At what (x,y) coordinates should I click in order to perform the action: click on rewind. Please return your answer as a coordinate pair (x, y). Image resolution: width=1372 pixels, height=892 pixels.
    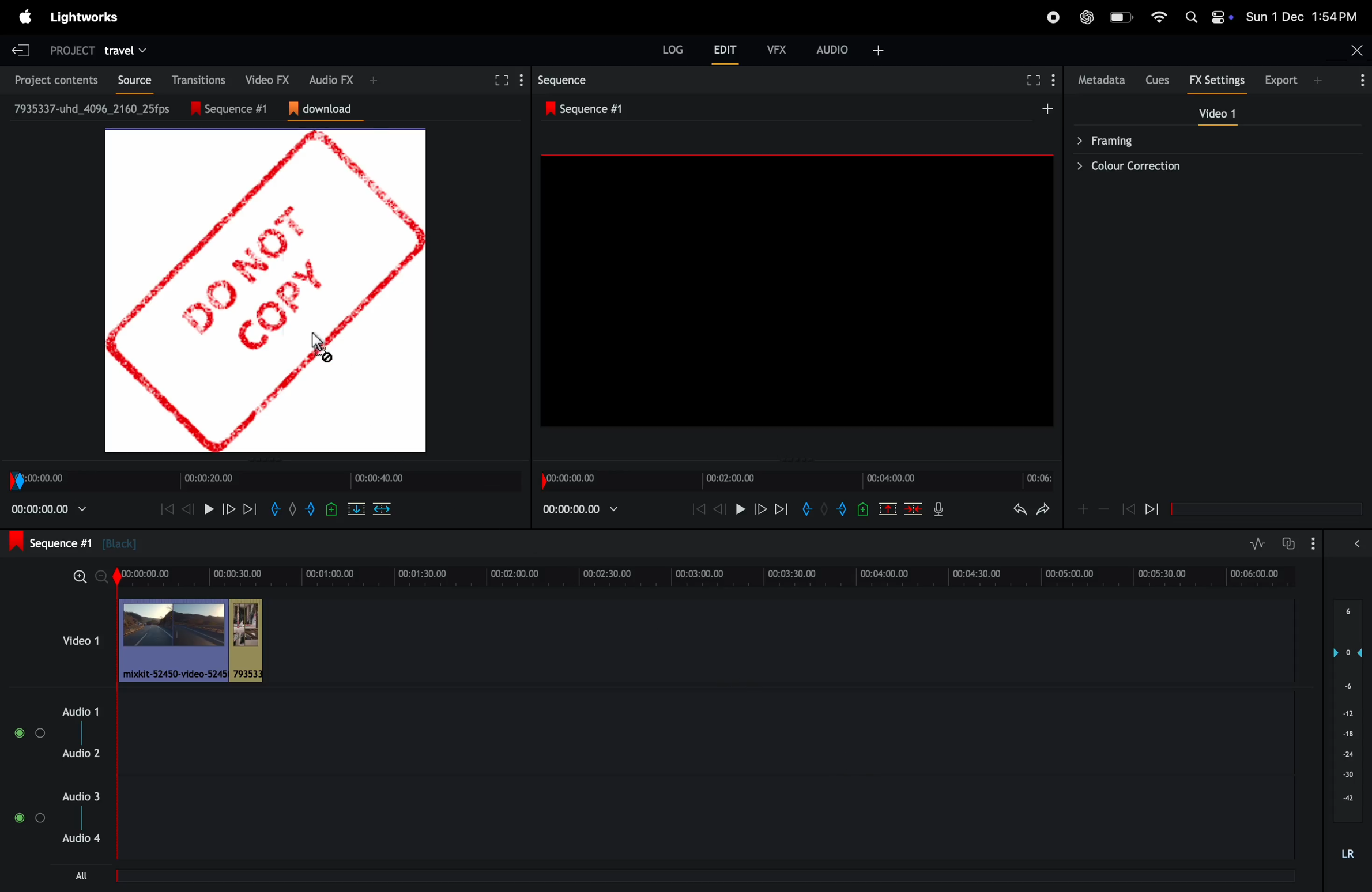
    Looking at the image, I should click on (186, 509).